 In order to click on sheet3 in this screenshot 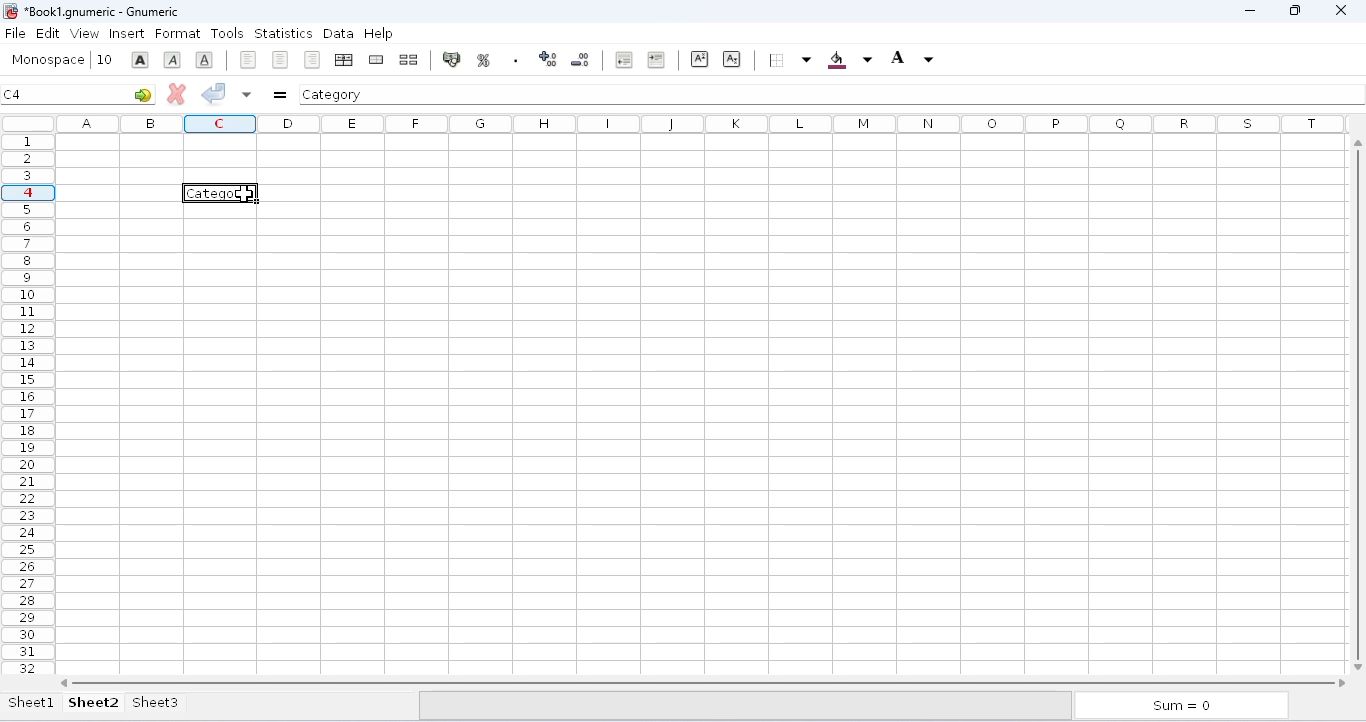, I will do `click(155, 702)`.